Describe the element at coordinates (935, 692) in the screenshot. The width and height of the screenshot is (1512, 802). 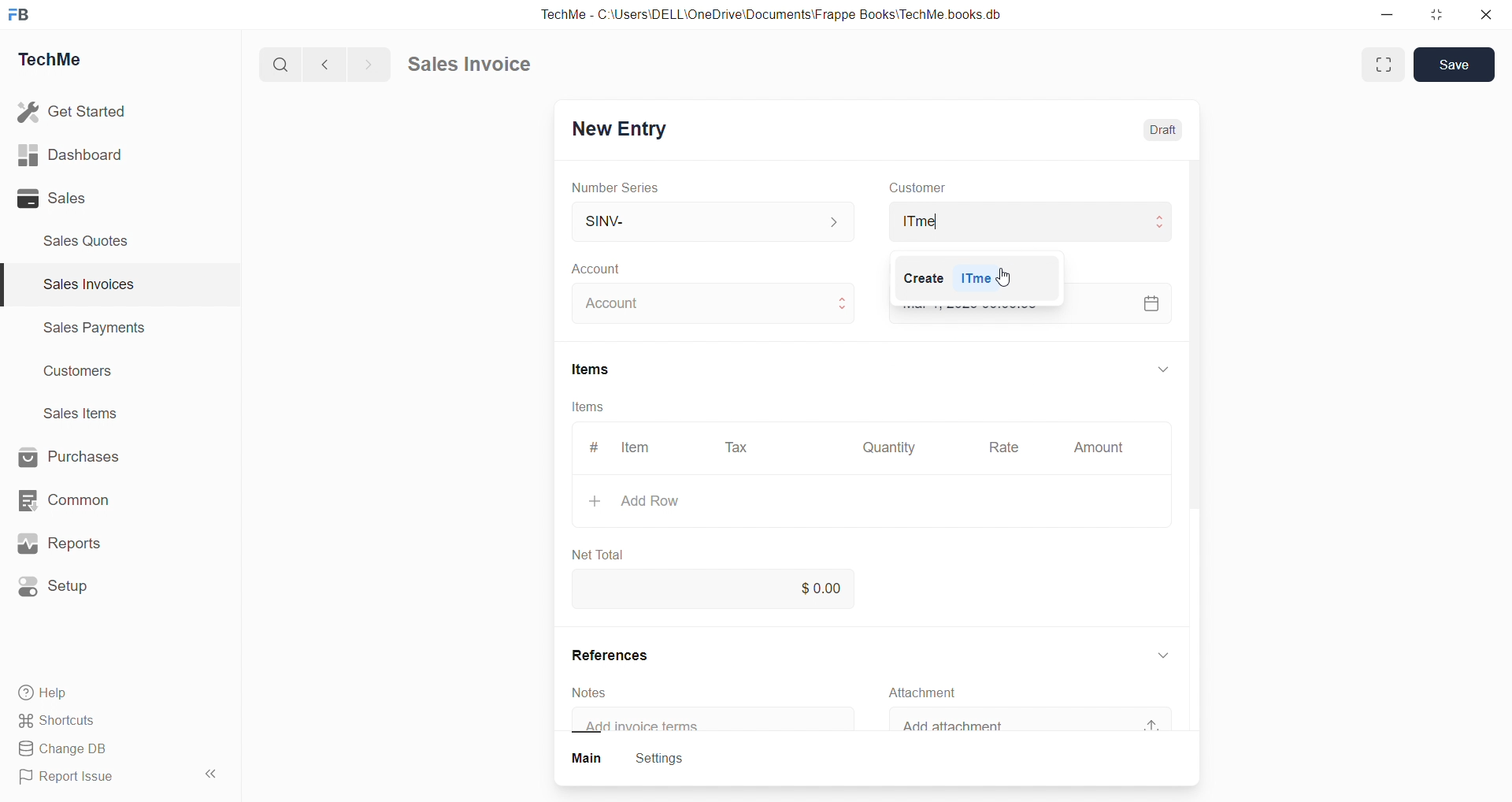
I see `Attachment` at that location.